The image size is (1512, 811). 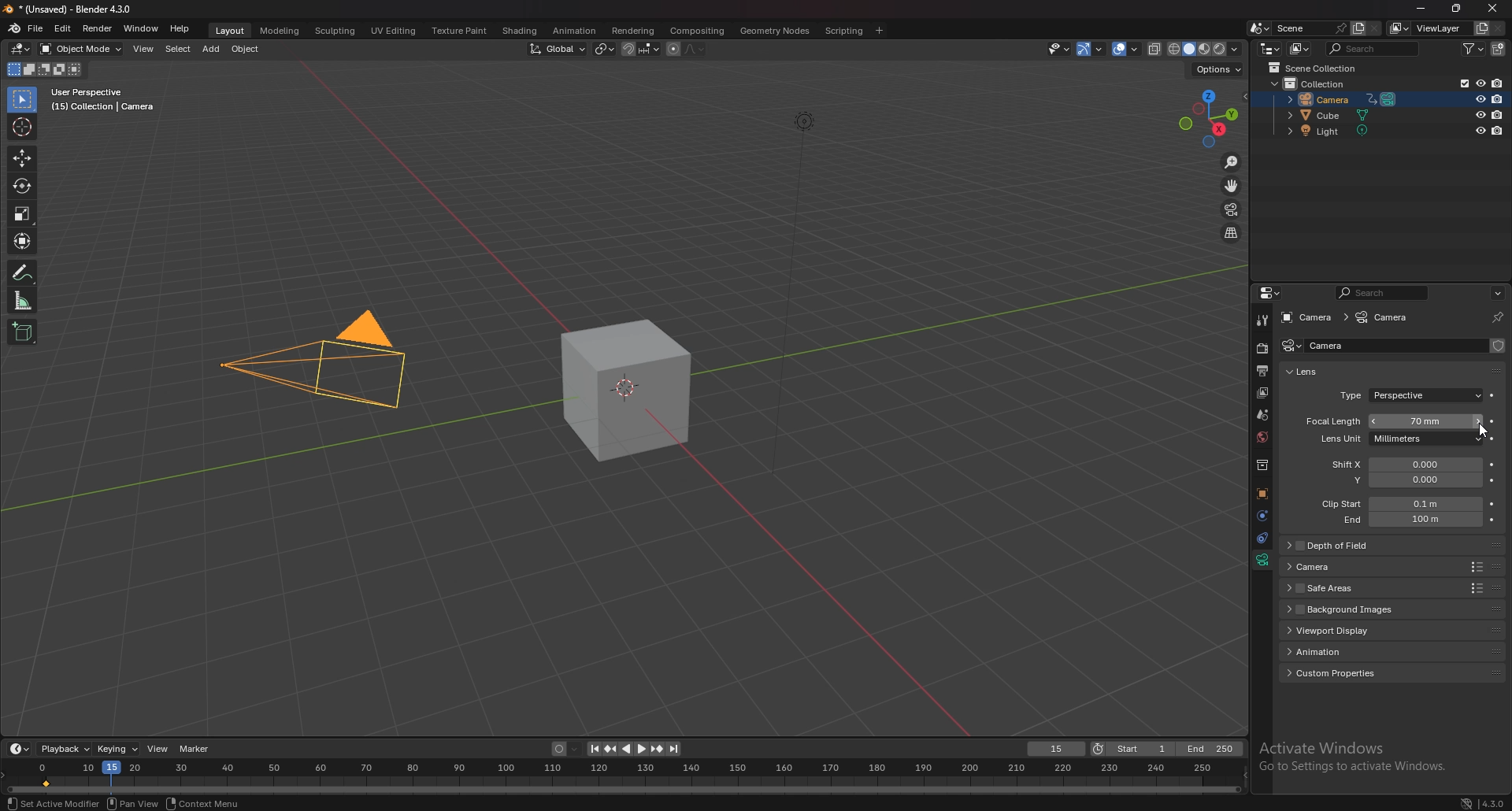 I want to click on , so click(x=1477, y=801).